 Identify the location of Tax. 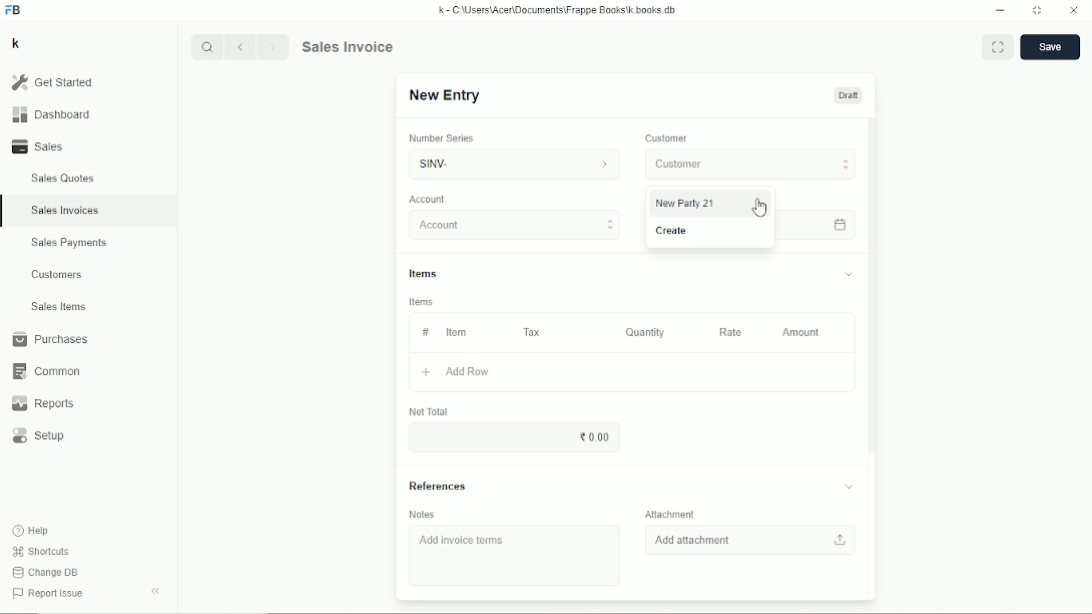
(534, 332).